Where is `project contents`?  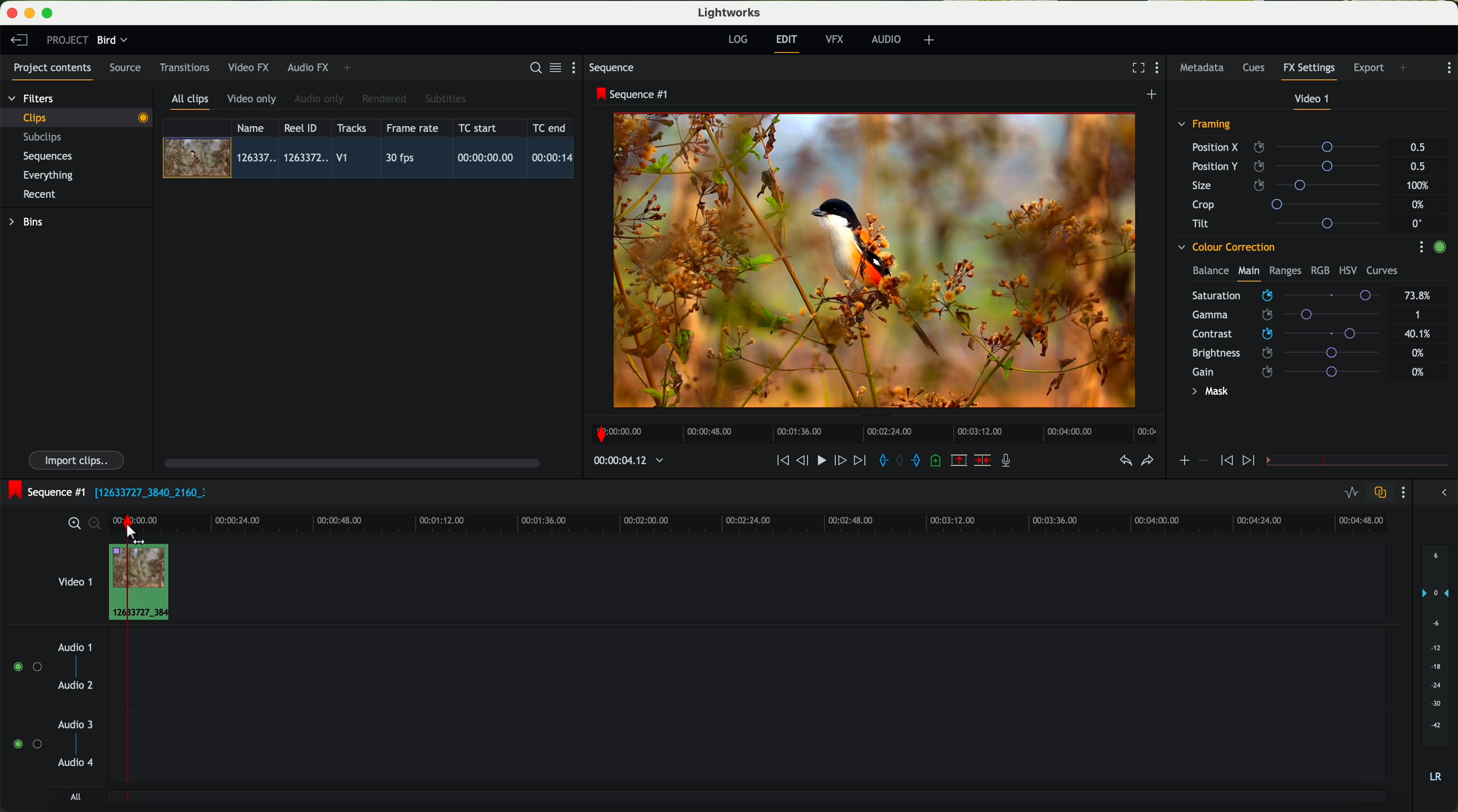 project contents is located at coordinates (53, 71).